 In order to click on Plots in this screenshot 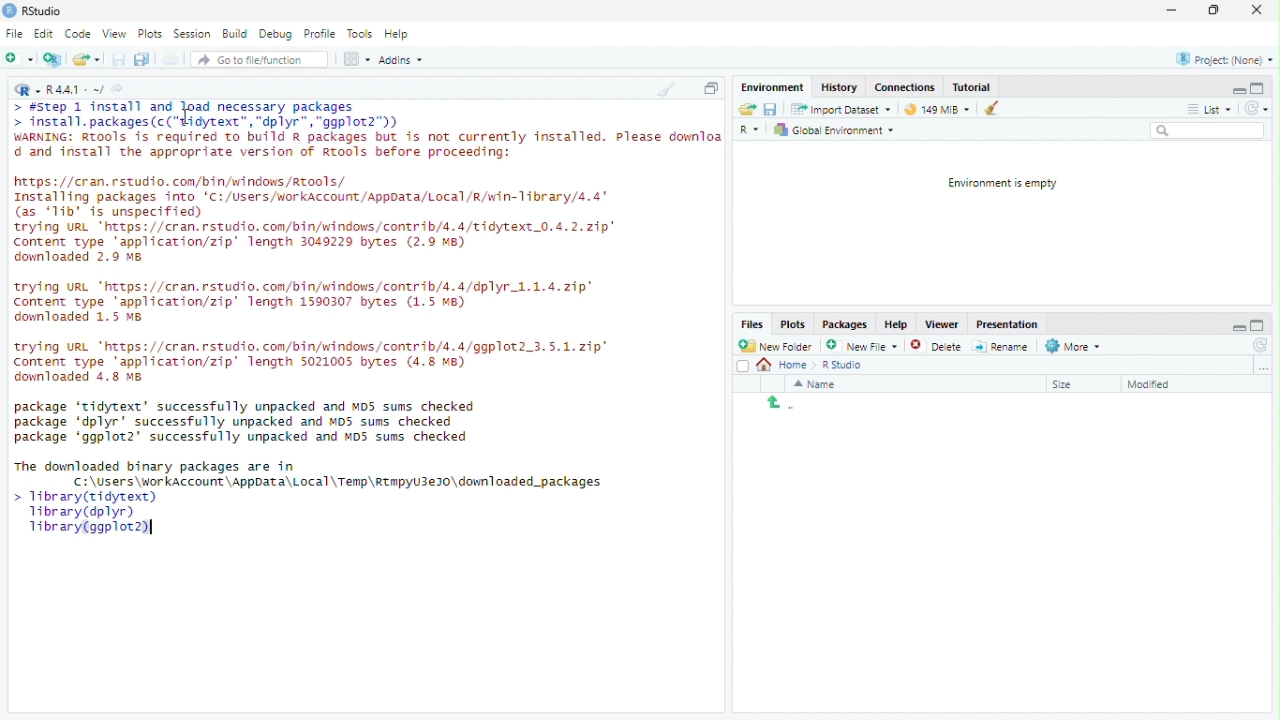, I will do `click(149, 34)`.